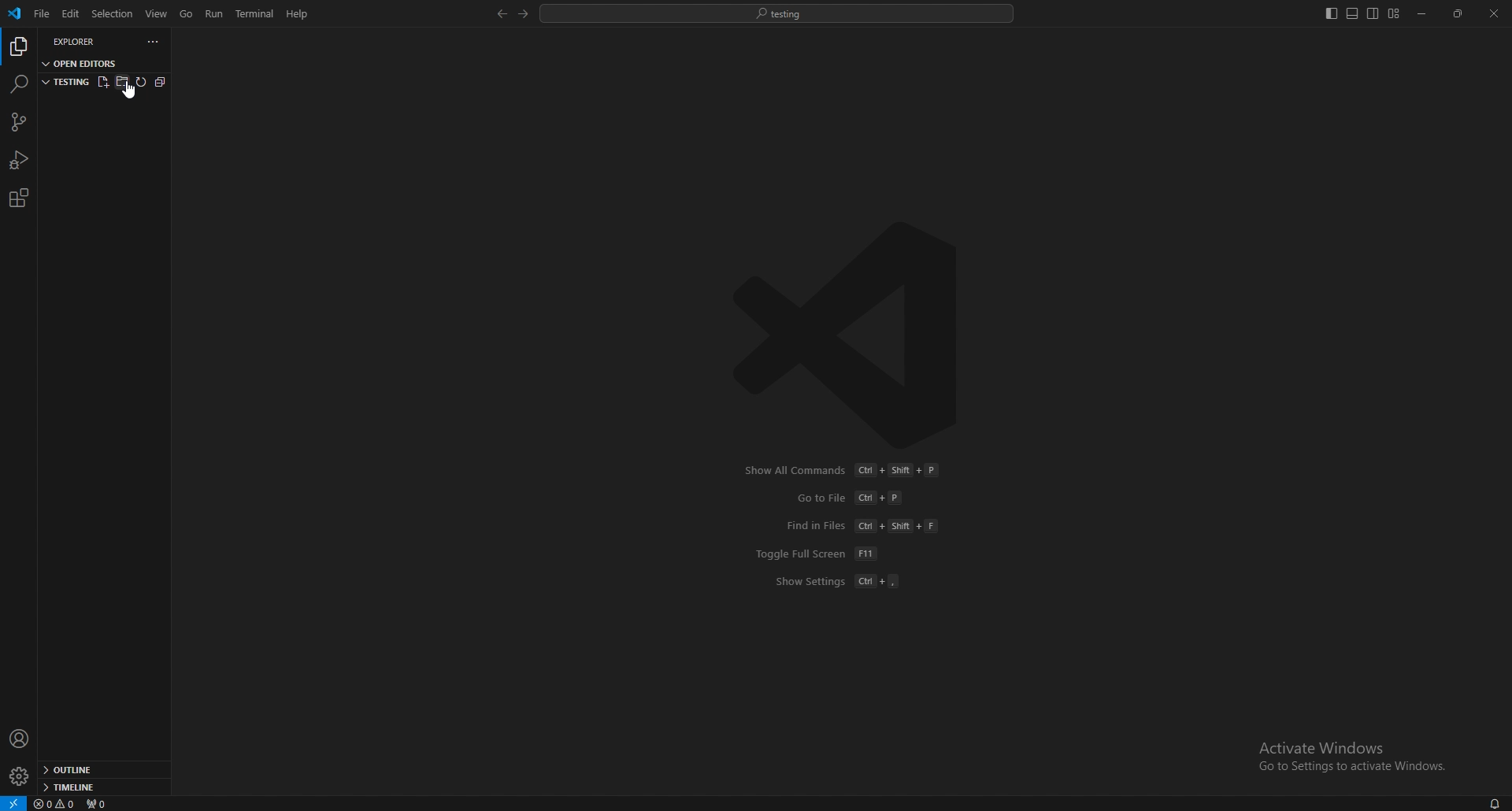 The width and height of the screenshot is (1512, 811). What do you see at coordinates (849, 526) in the screenshot?
I see `shortcuts` at bounding box center [849, 526].